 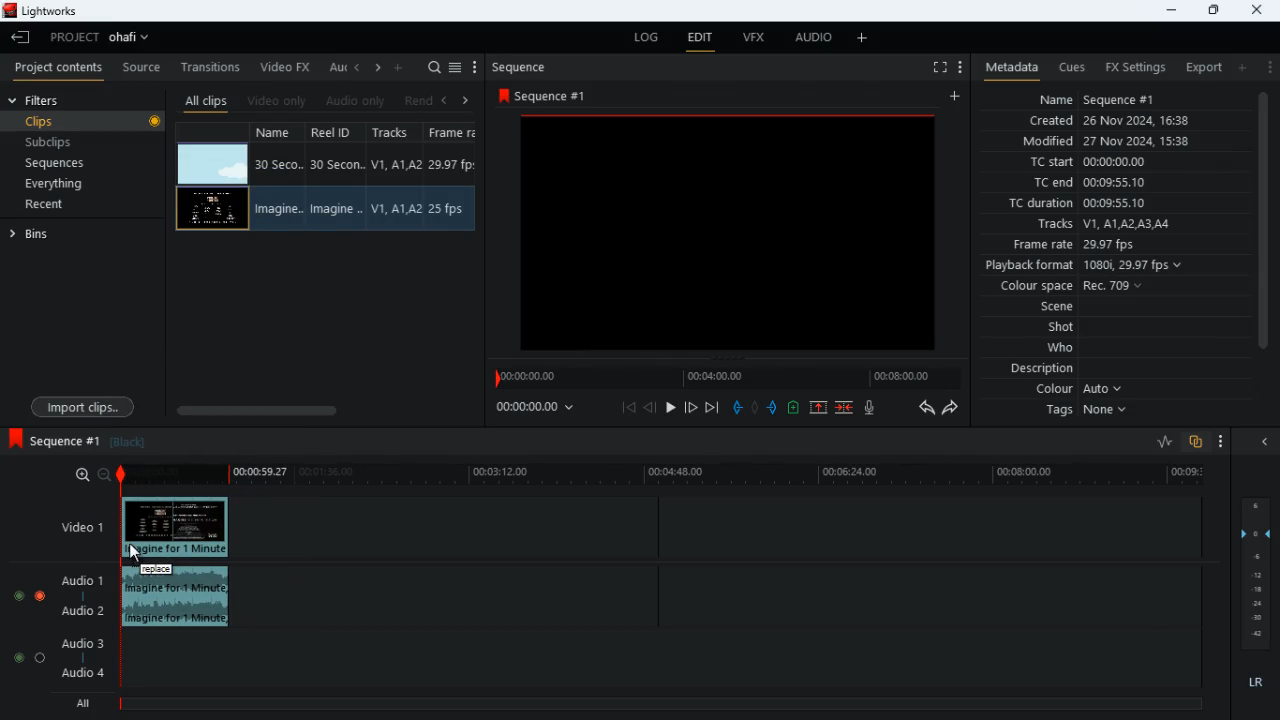 I want to click on colour, so click(x=1070, y=389).